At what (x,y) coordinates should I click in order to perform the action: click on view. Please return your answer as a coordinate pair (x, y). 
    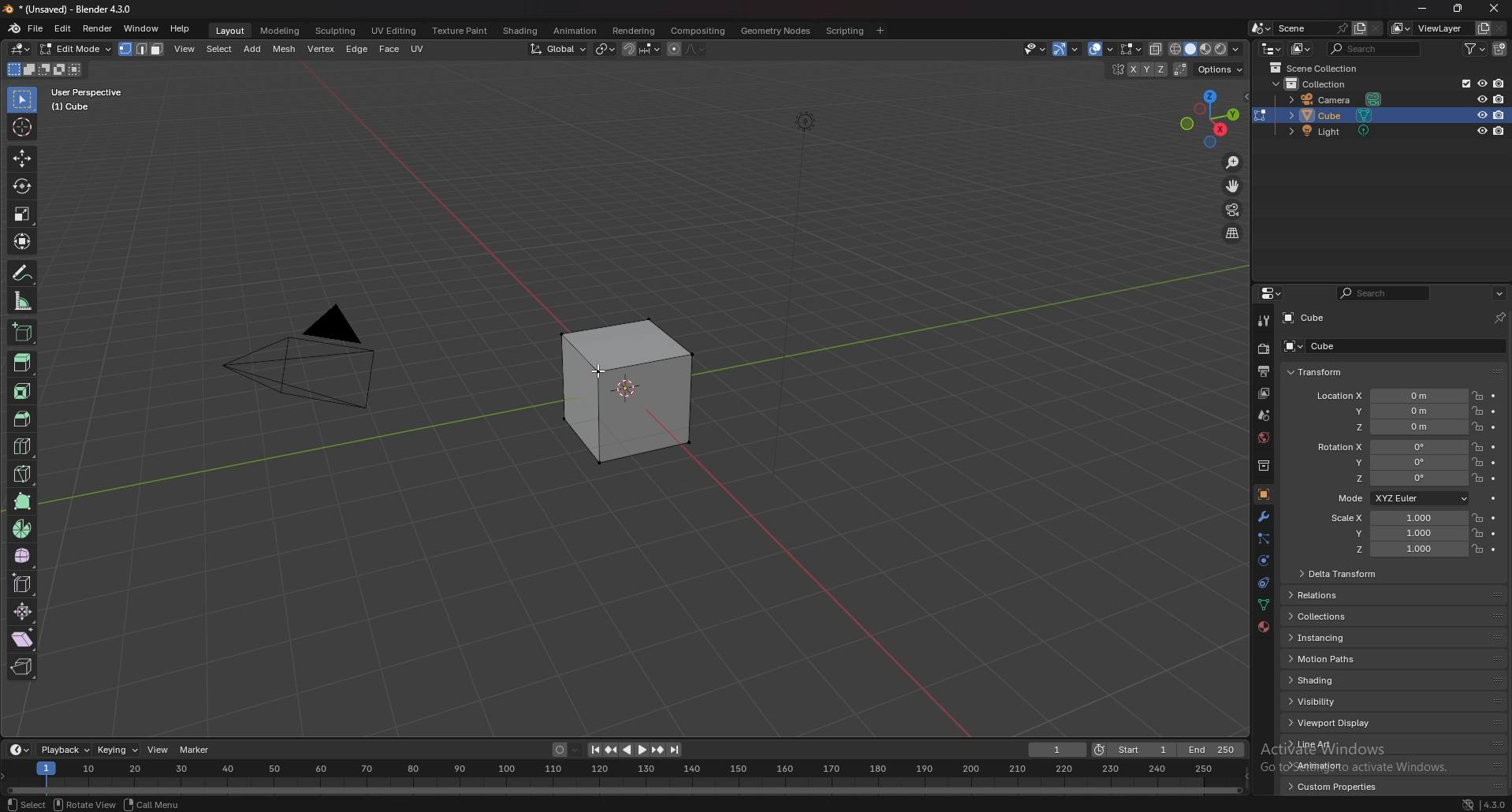
    Looking at the image, I should click on (156, 750).